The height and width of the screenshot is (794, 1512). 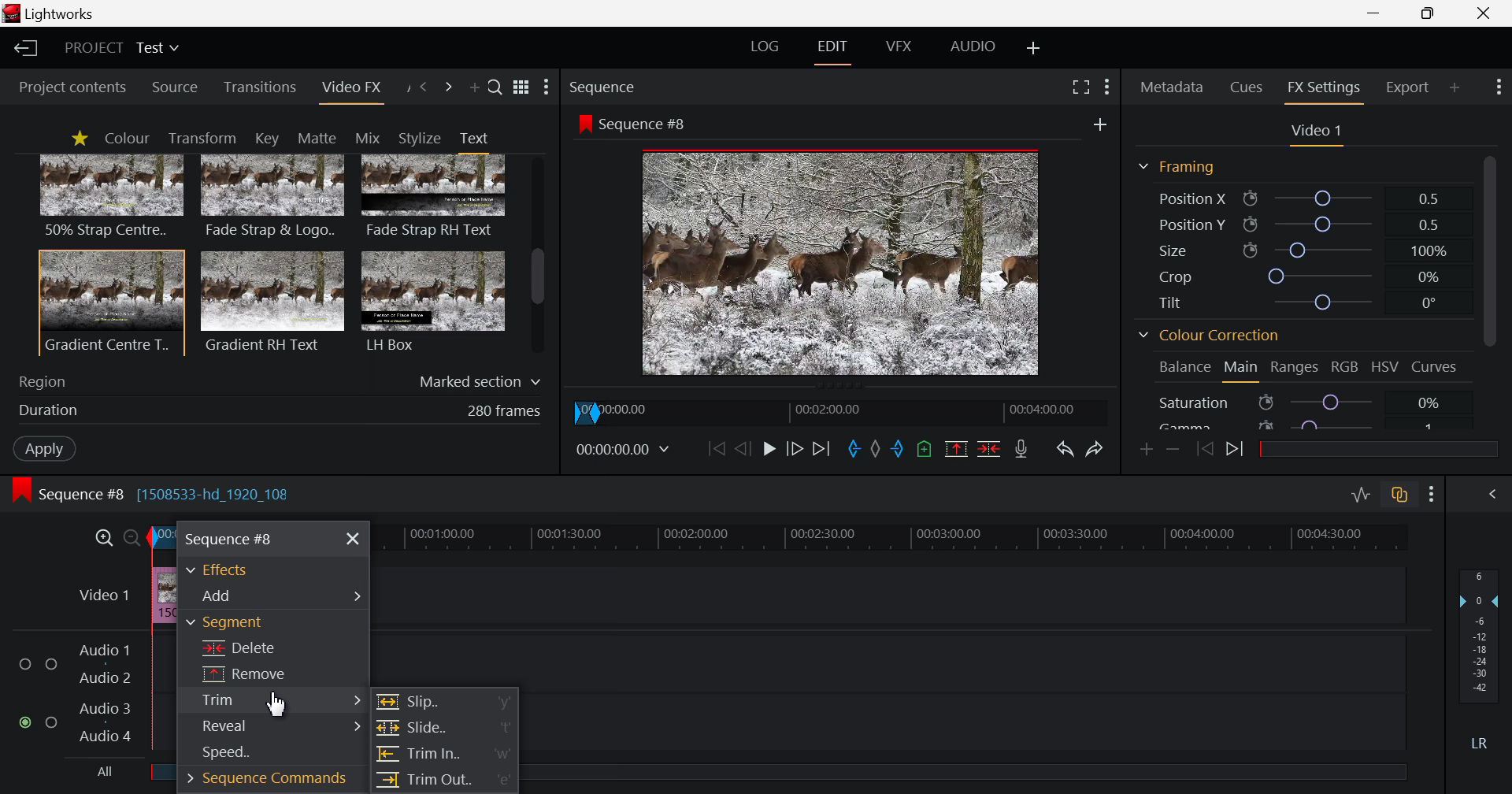 I want to click on Frame Time, so click(x=627, y=450).